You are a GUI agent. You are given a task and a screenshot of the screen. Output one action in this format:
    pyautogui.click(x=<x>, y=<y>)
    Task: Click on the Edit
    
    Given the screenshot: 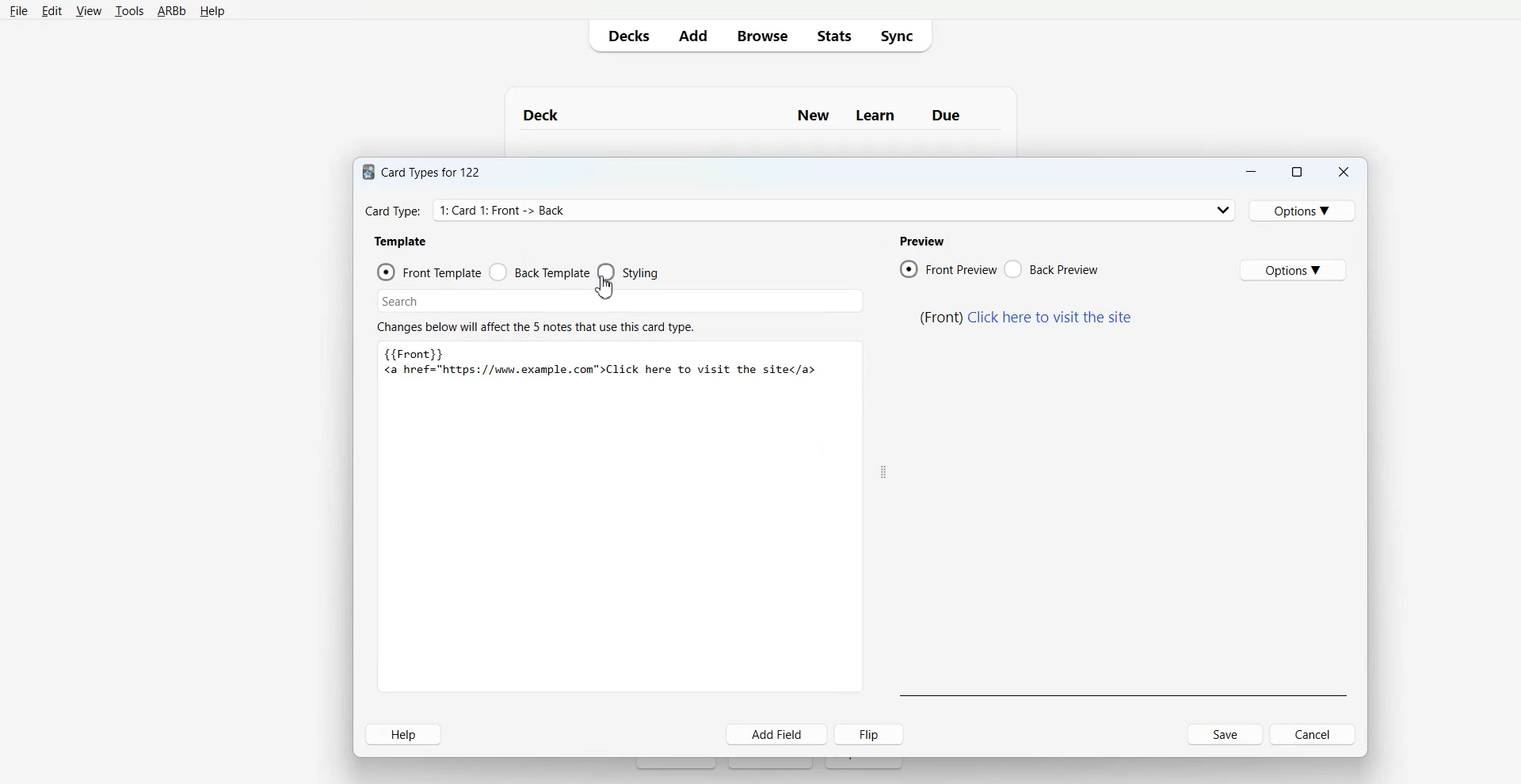 What is the action you would take?
    pyautogui.click(x=52, y=11)
    